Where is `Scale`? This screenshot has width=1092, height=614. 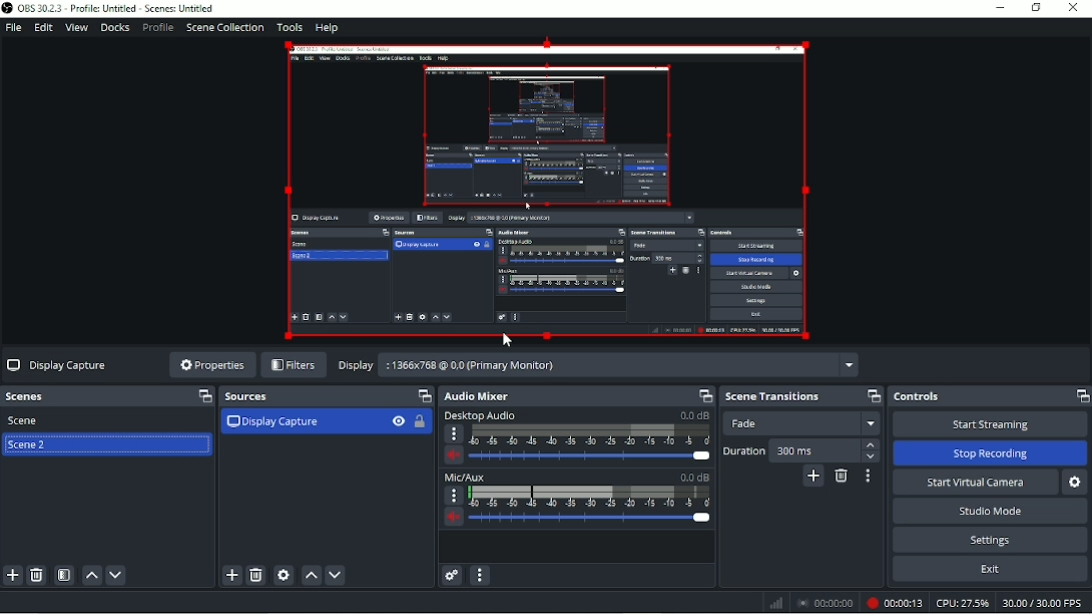
Scale is located at coordinates (591, 434).